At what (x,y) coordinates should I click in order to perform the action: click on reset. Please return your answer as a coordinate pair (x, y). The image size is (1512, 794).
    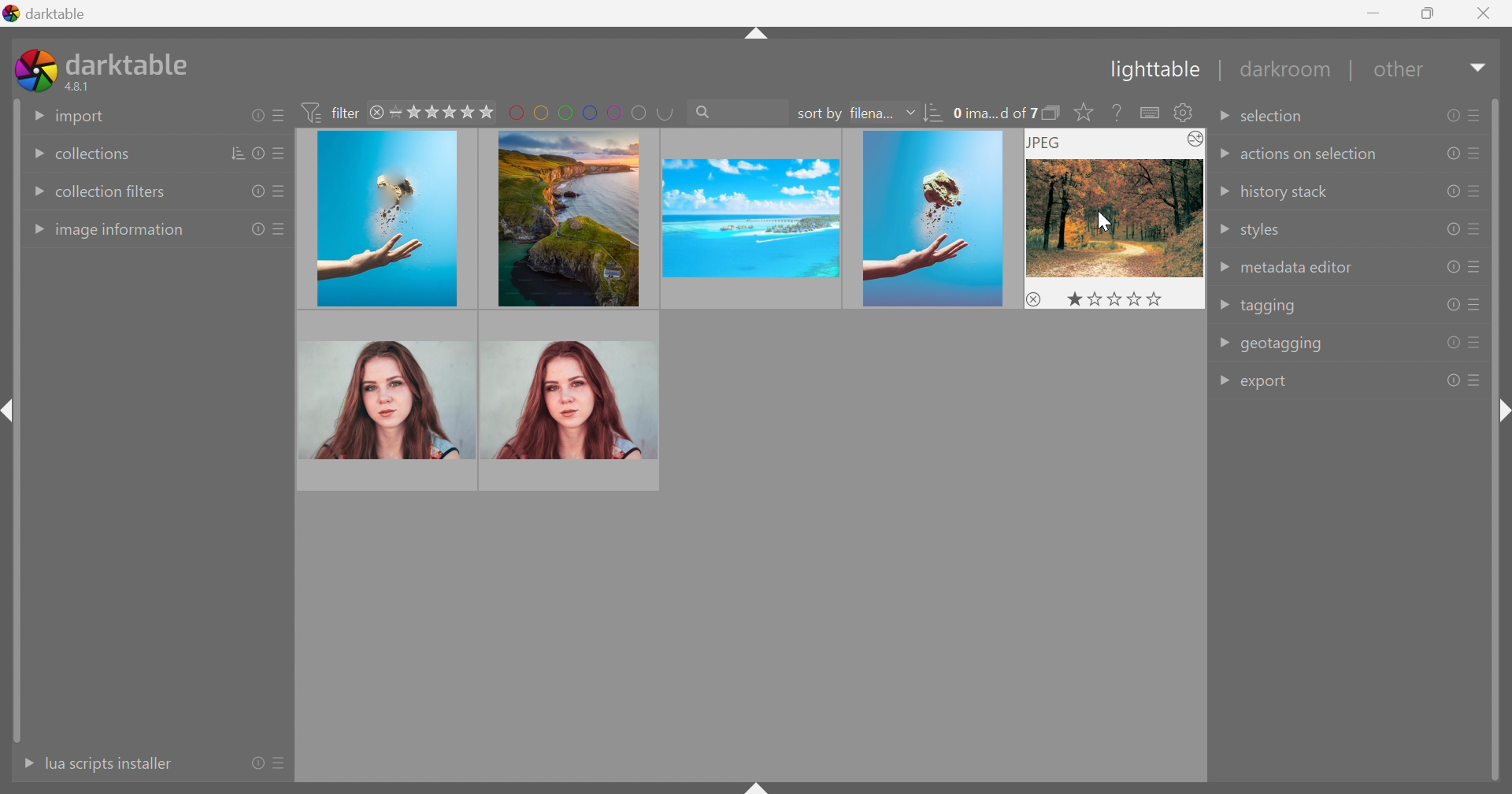
    Looking at the image, I should click on (1454, 305).